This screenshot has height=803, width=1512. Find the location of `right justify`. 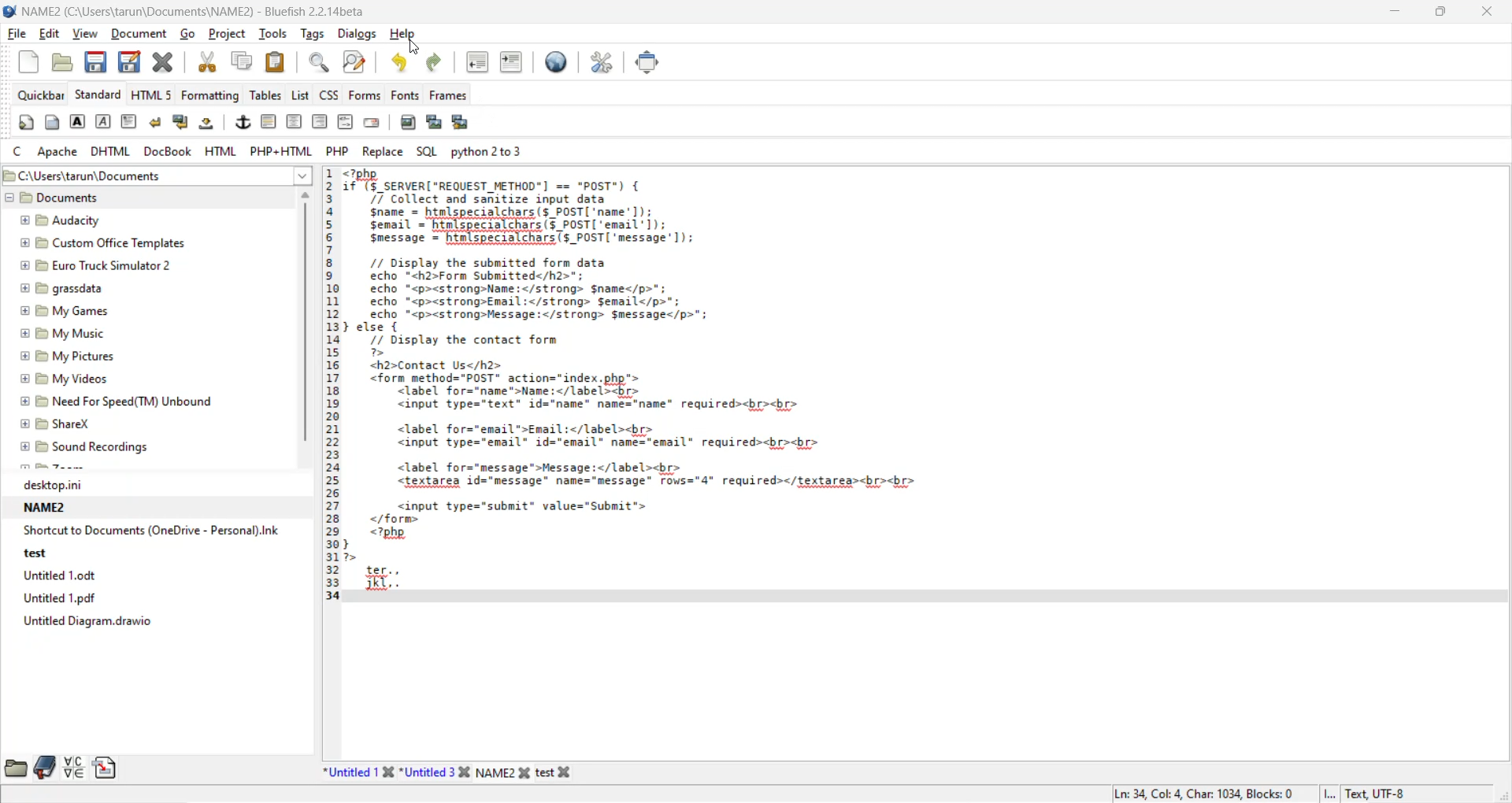

right justify is located at coordinates (317, 121).